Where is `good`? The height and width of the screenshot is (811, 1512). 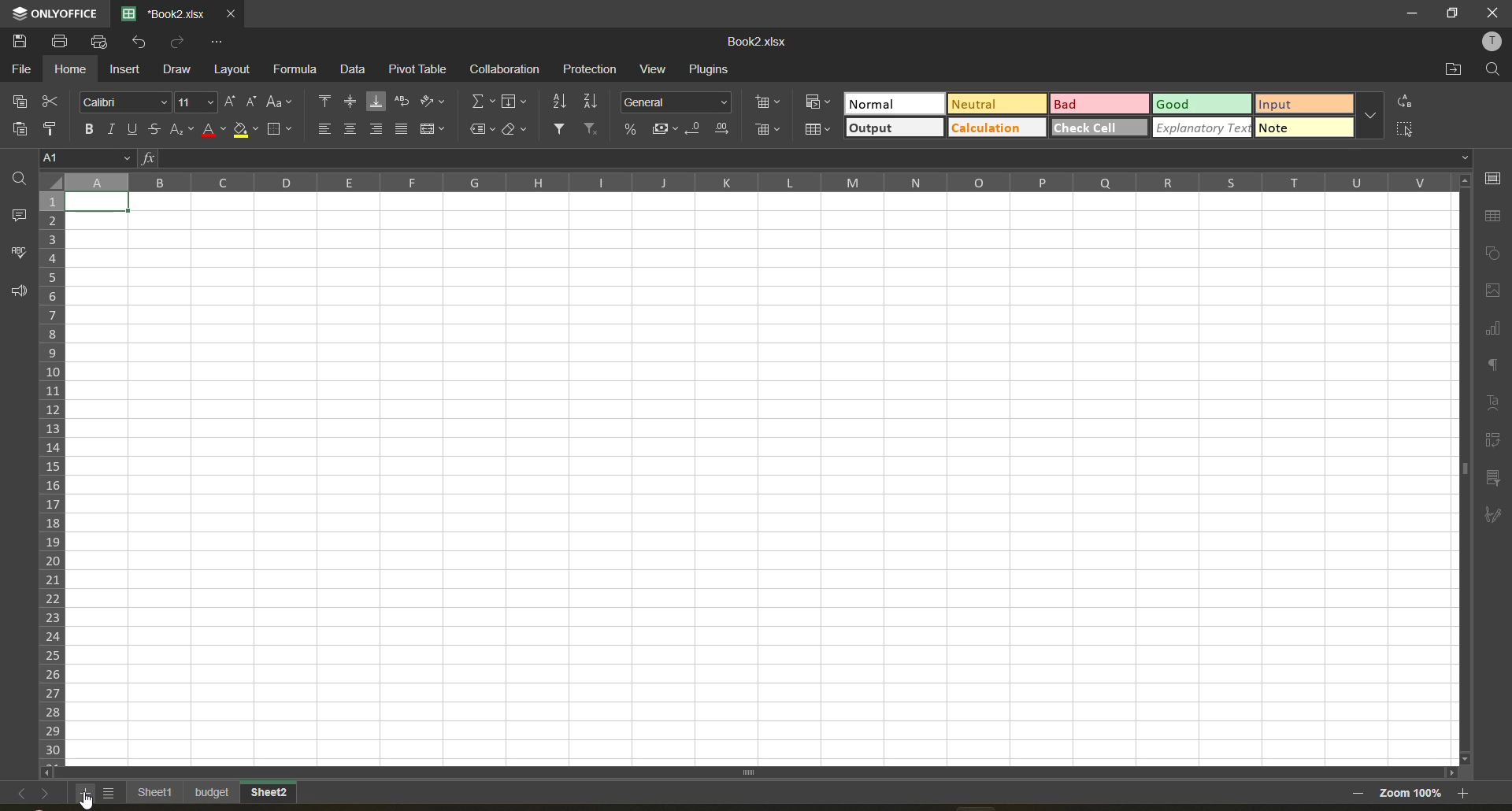
good is located at coordinates (1200, 104).